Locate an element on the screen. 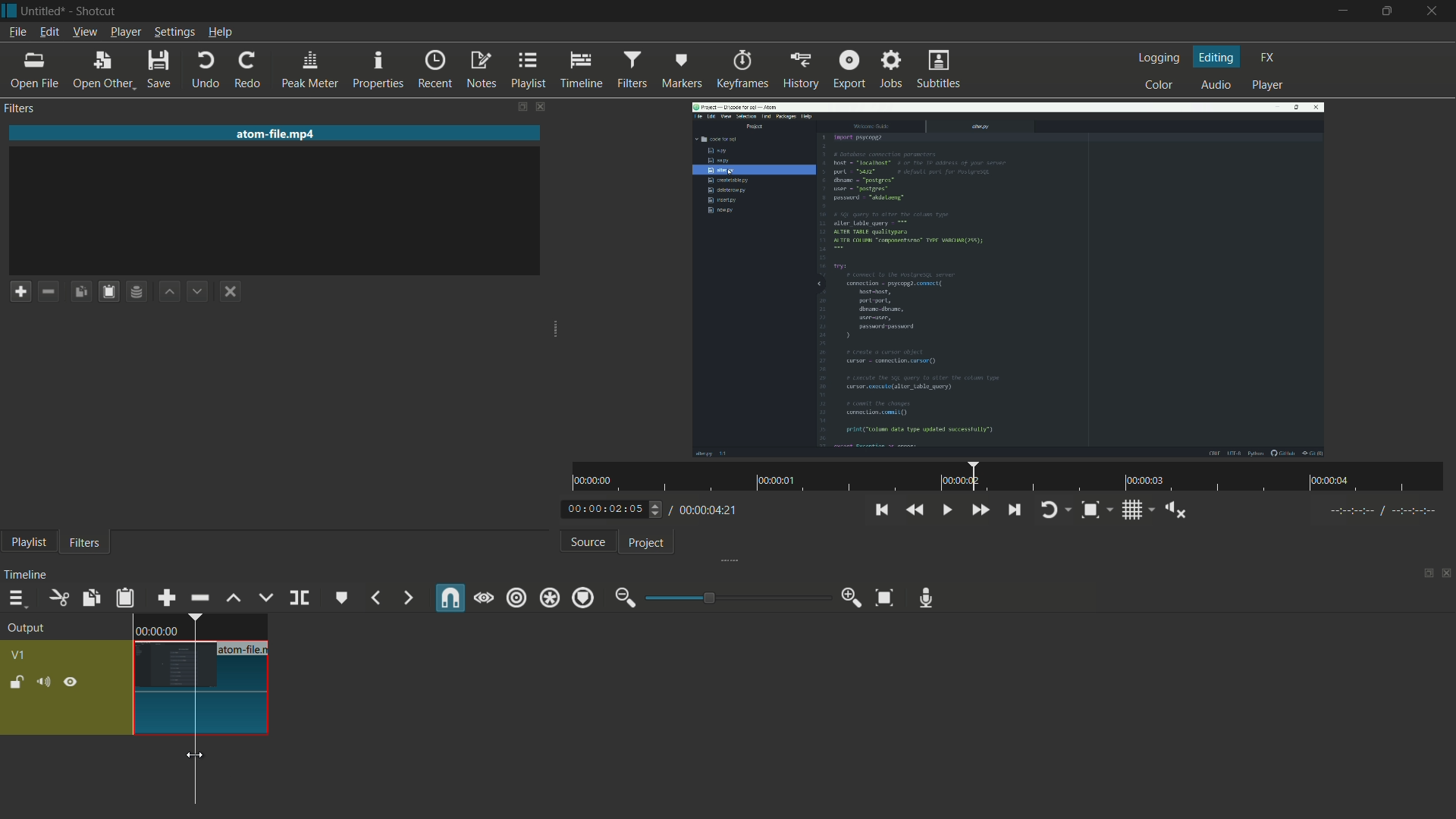  imported file name is located at coordinates (277, 133).